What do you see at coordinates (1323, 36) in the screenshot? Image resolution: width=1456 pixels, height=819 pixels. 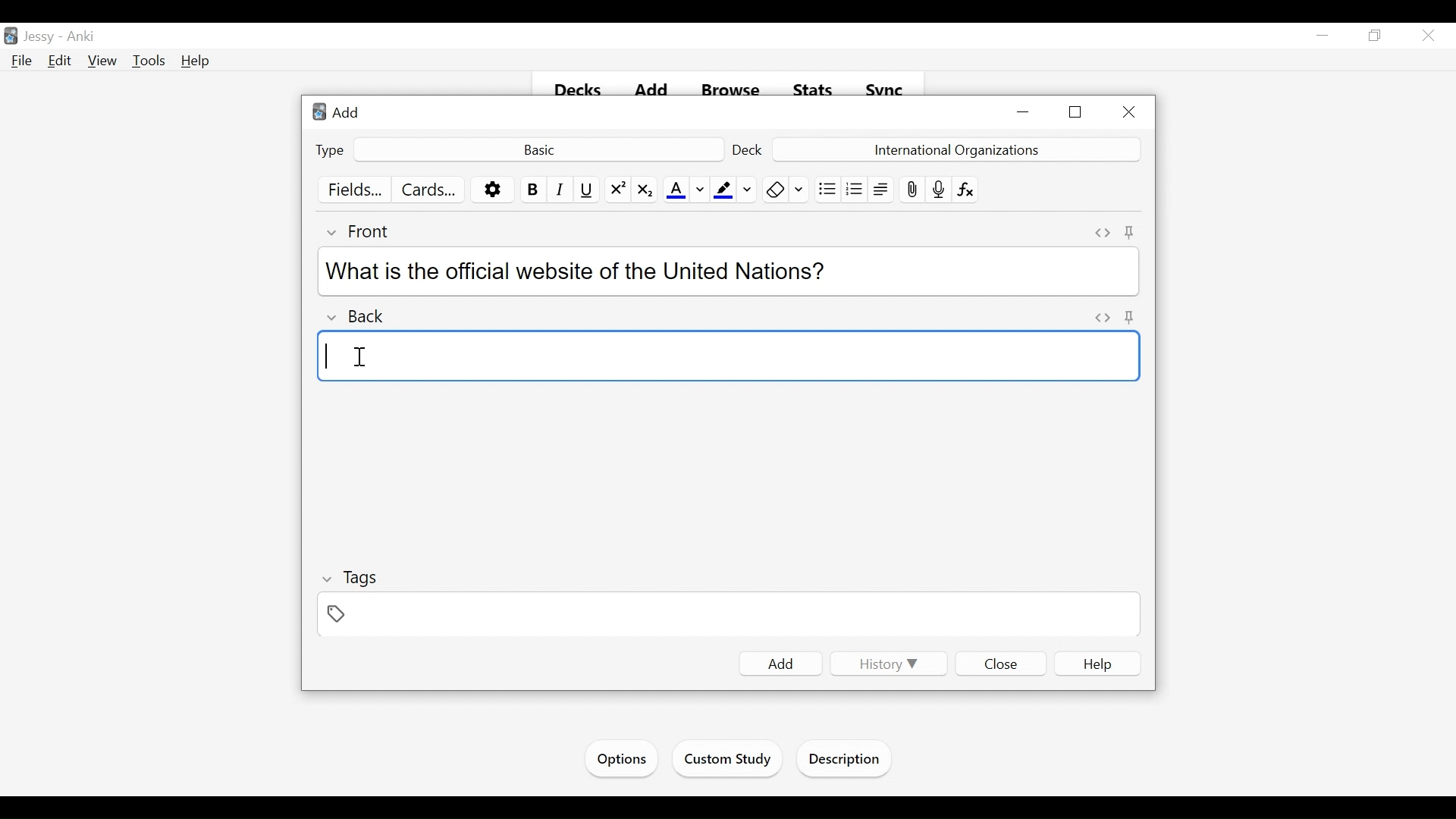 I see `minimize` at bounding box center [1323, 36].